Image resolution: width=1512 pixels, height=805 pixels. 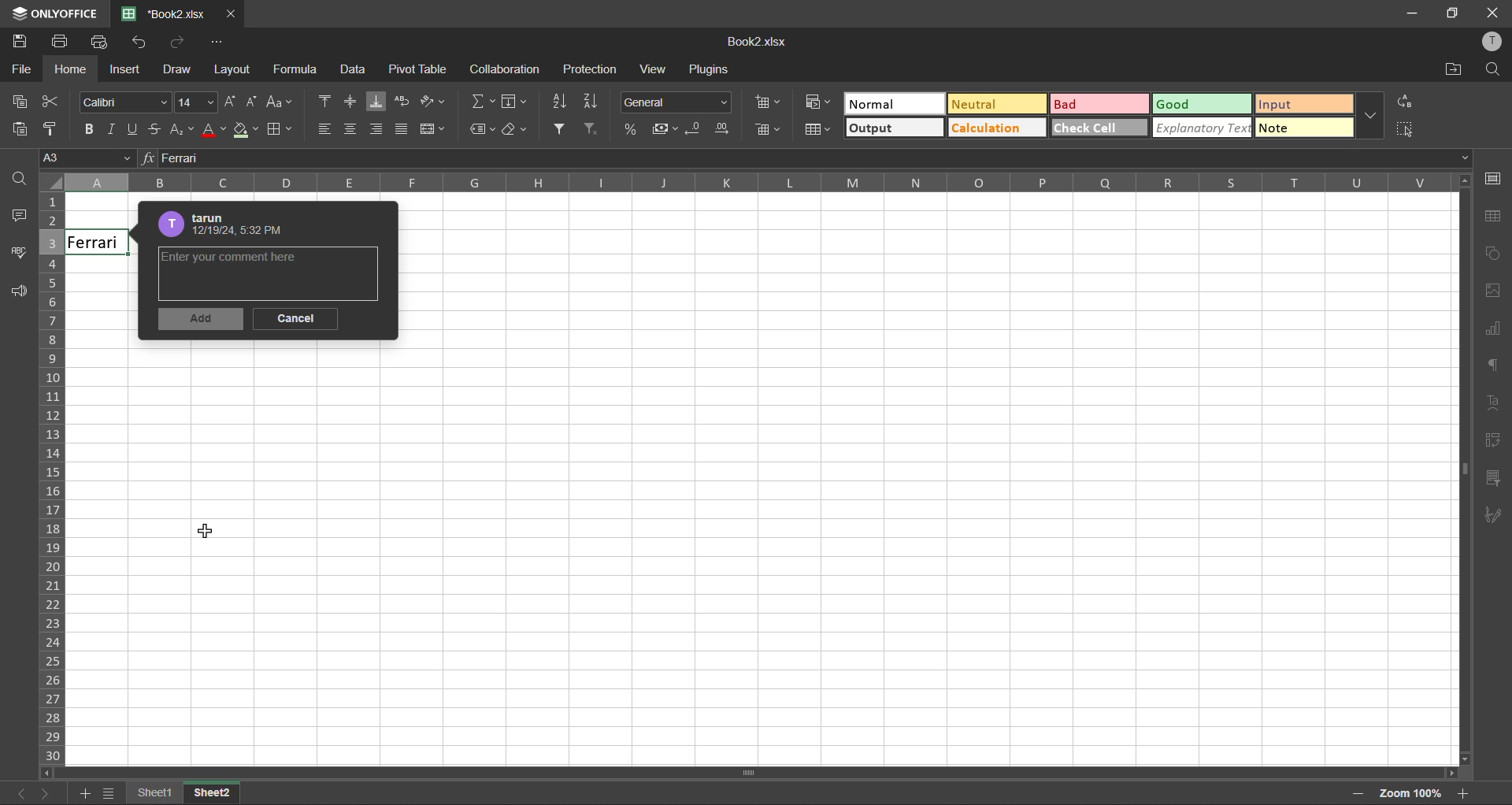 What do you see at coordinates (516, 129) in the screenshot?
I see `clear` at bounding box center [516, 129].